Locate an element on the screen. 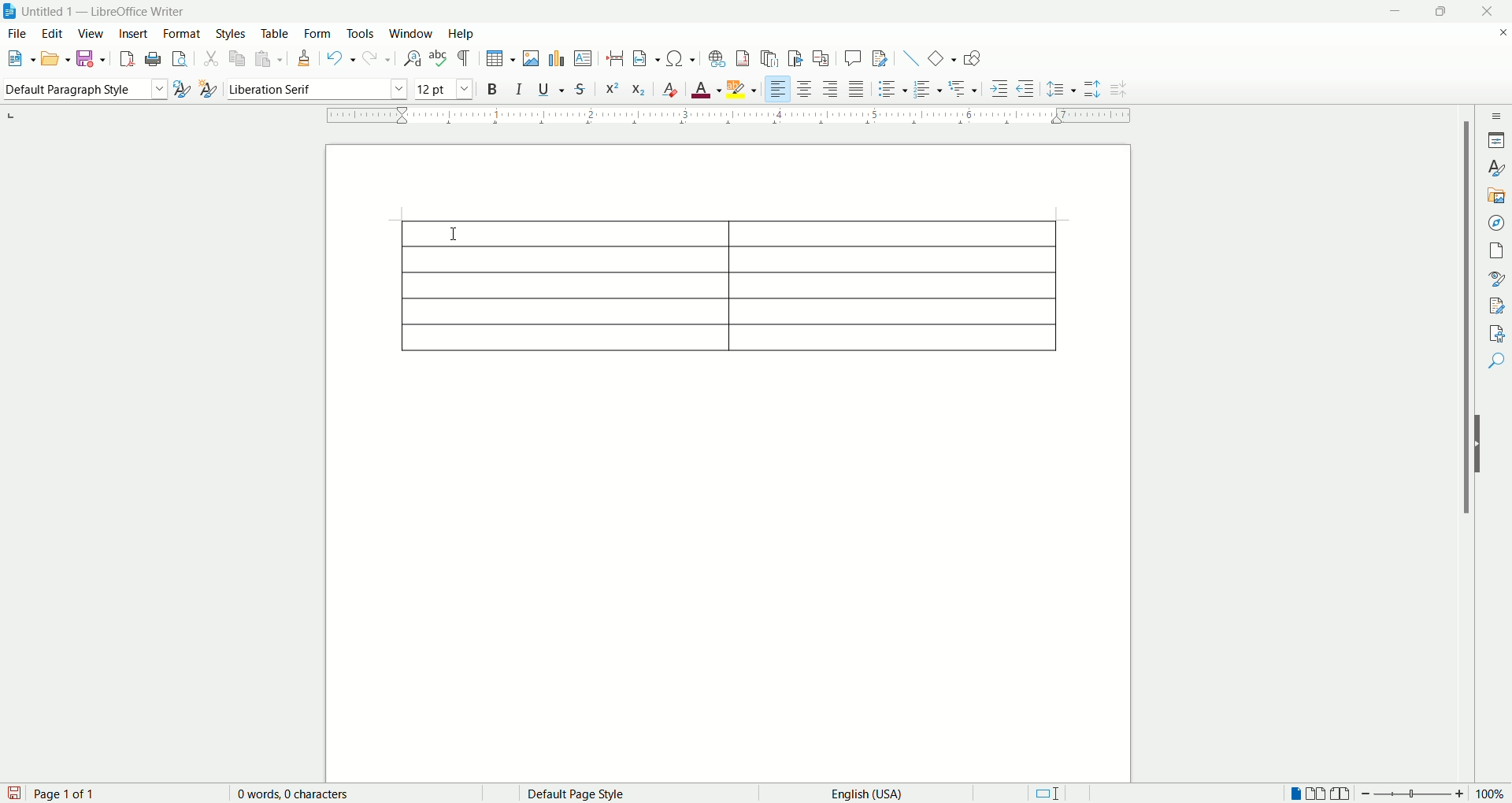  view is located at coordinates (91, 33).